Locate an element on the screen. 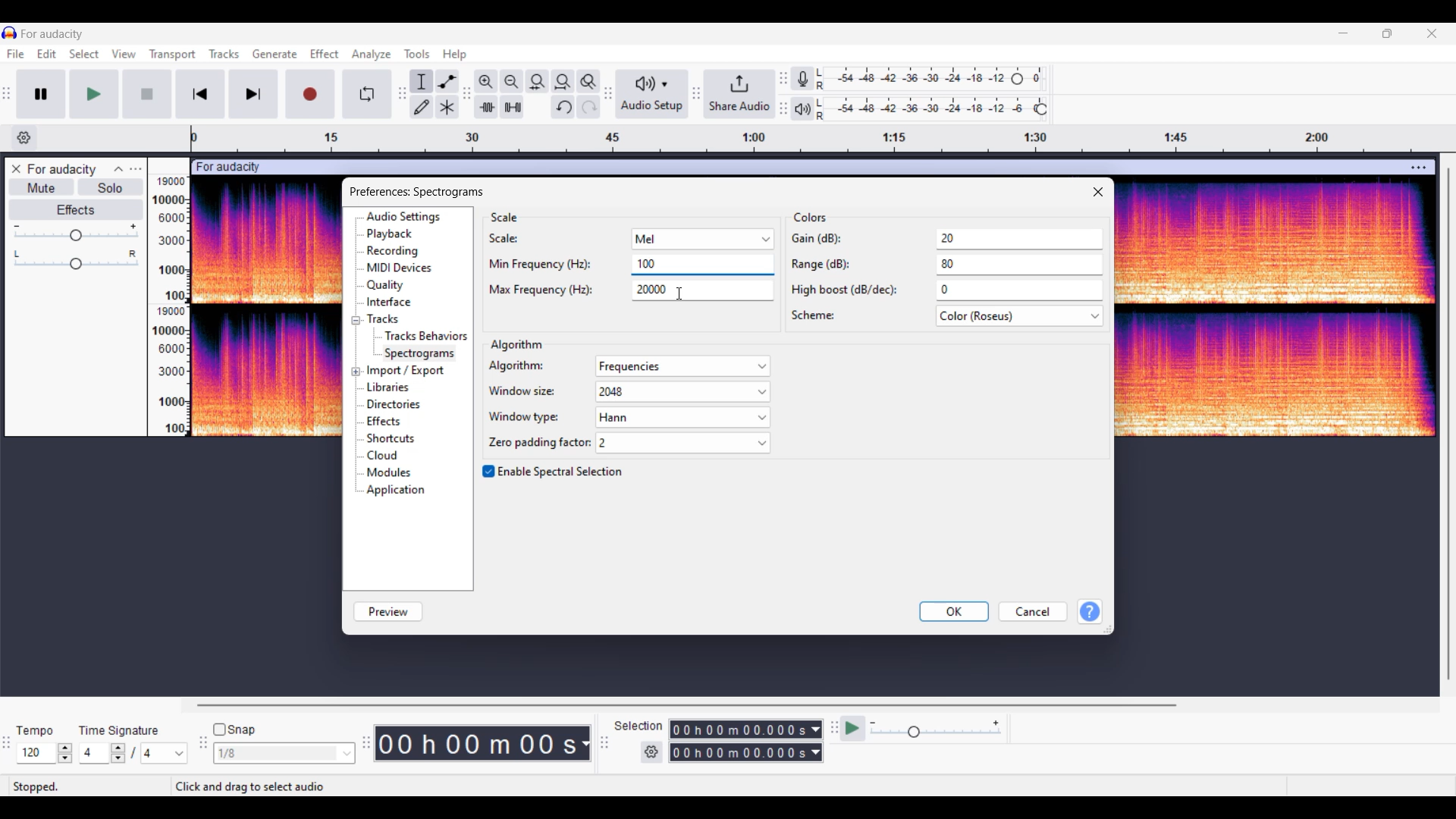  Effects is located at coordinates (75, 210).